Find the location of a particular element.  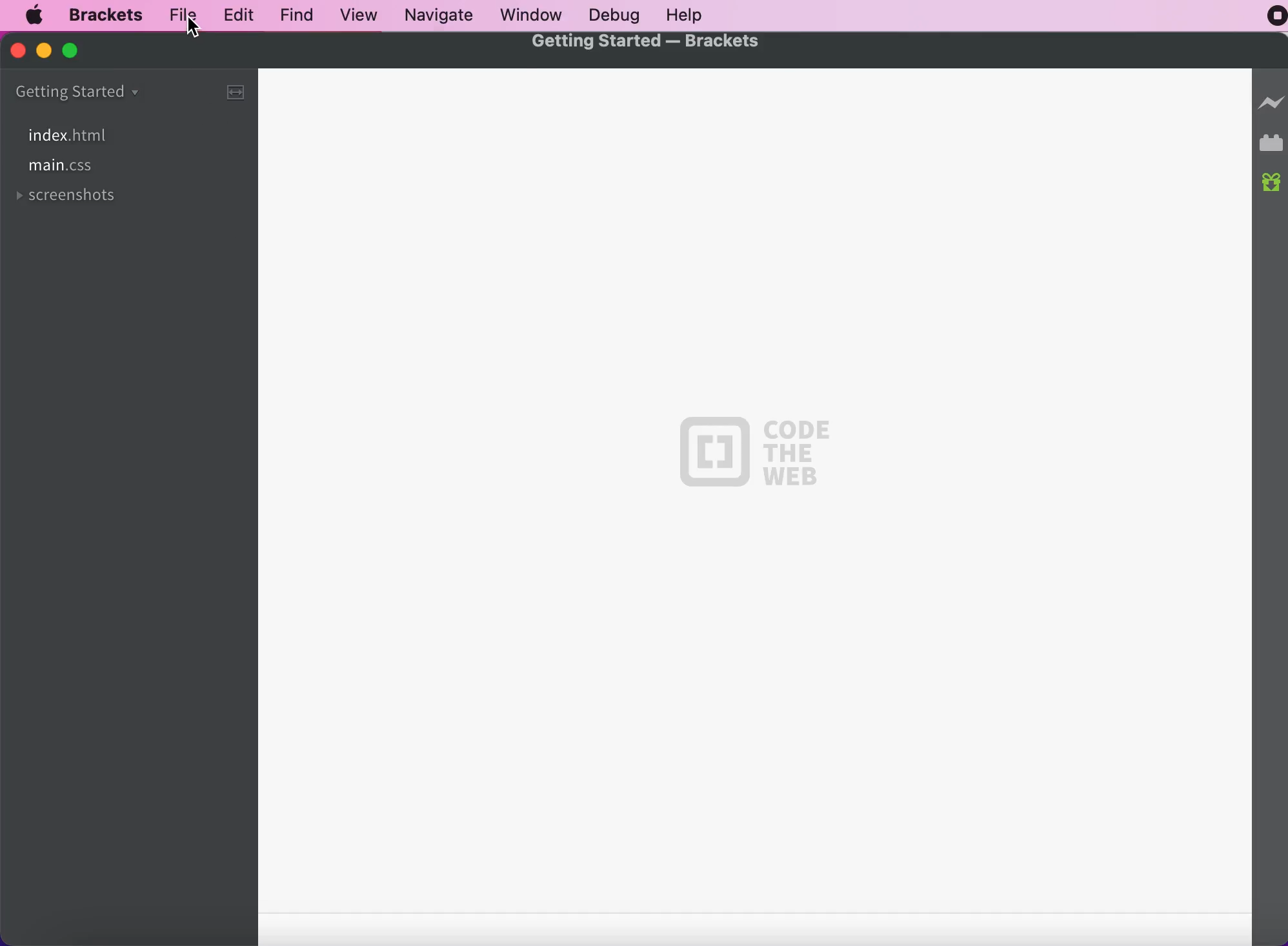

index.html is located at coordinates (102, 134).